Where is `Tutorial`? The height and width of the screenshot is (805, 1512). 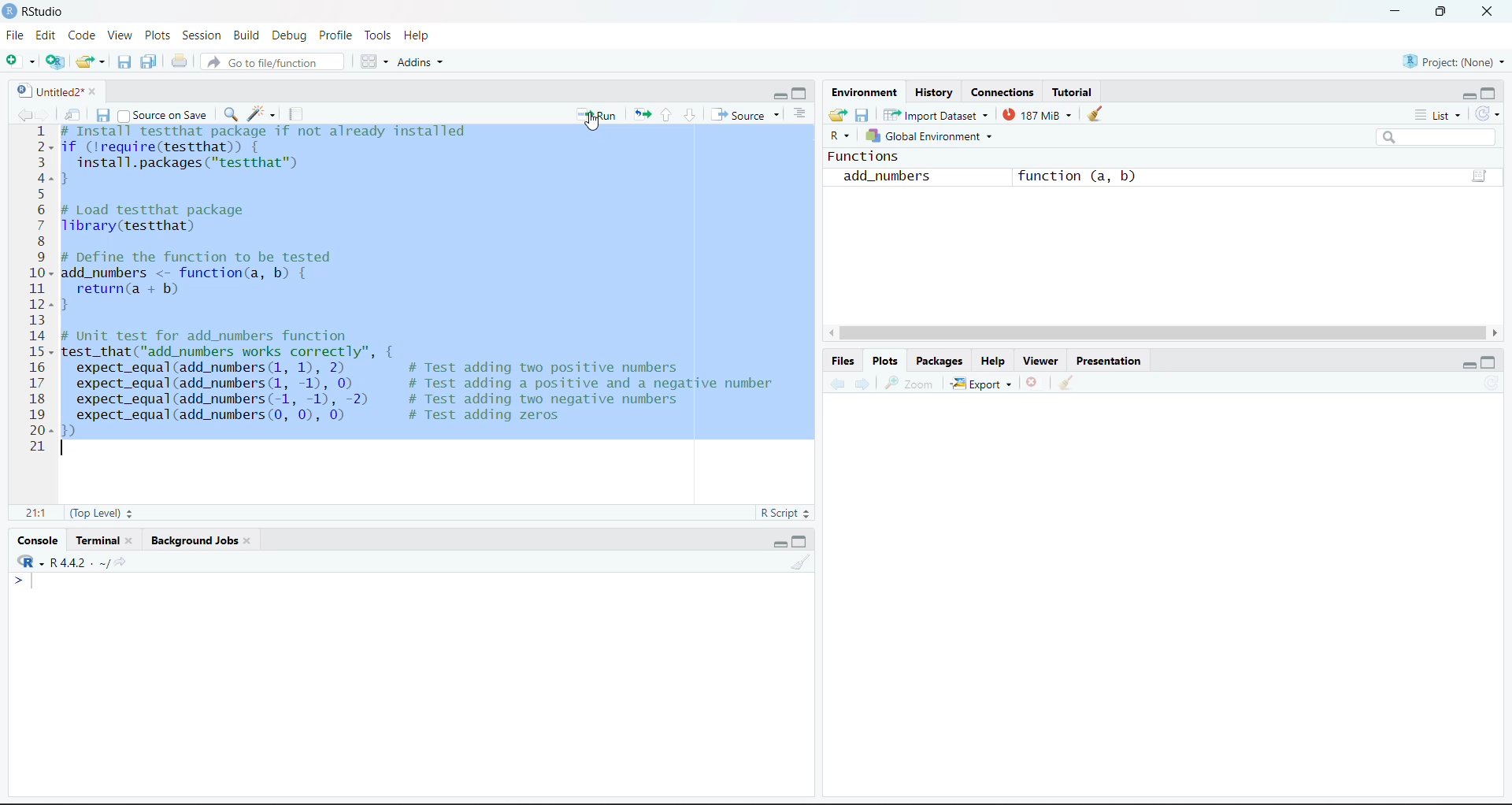 Tutorial is located at coordinates (1071, 91).